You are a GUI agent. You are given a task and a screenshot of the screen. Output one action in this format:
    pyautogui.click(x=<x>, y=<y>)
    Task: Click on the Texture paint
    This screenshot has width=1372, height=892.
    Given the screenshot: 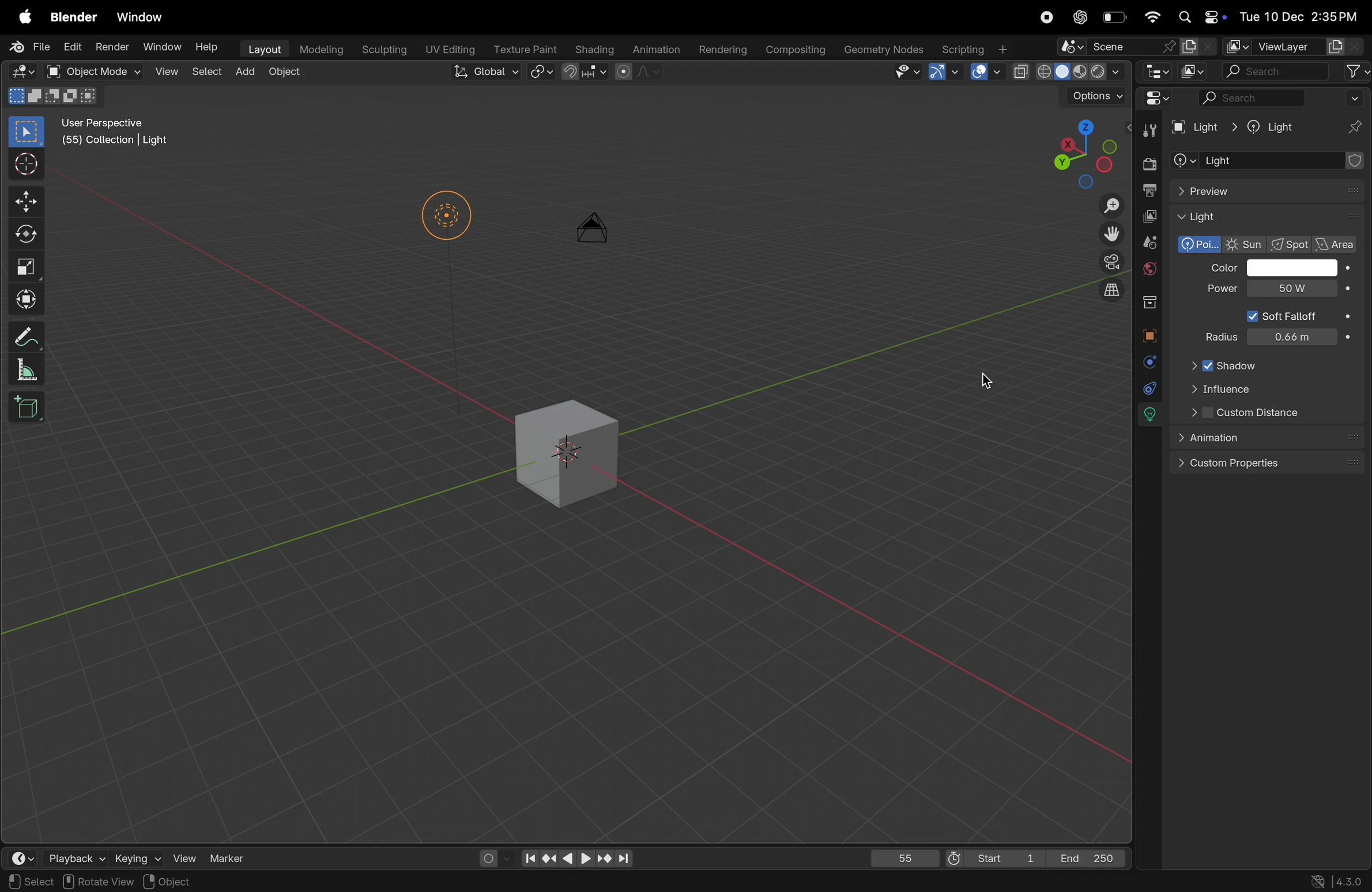 What is the action you would take?
    pyautogui.click(x=525, y=48)
    